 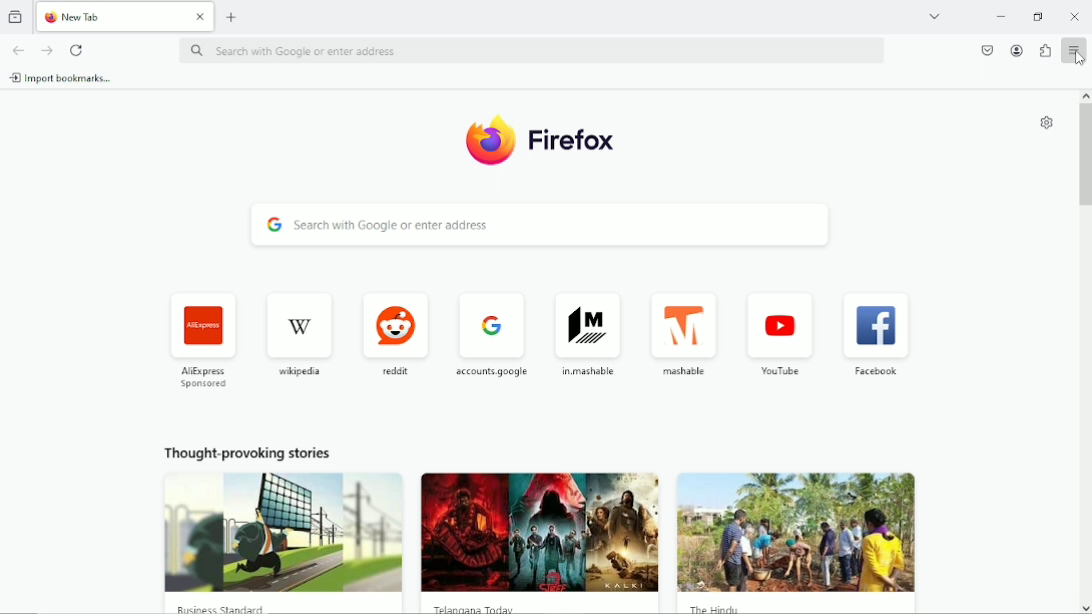 I want to click on new tab, so click(x=232, y=17).